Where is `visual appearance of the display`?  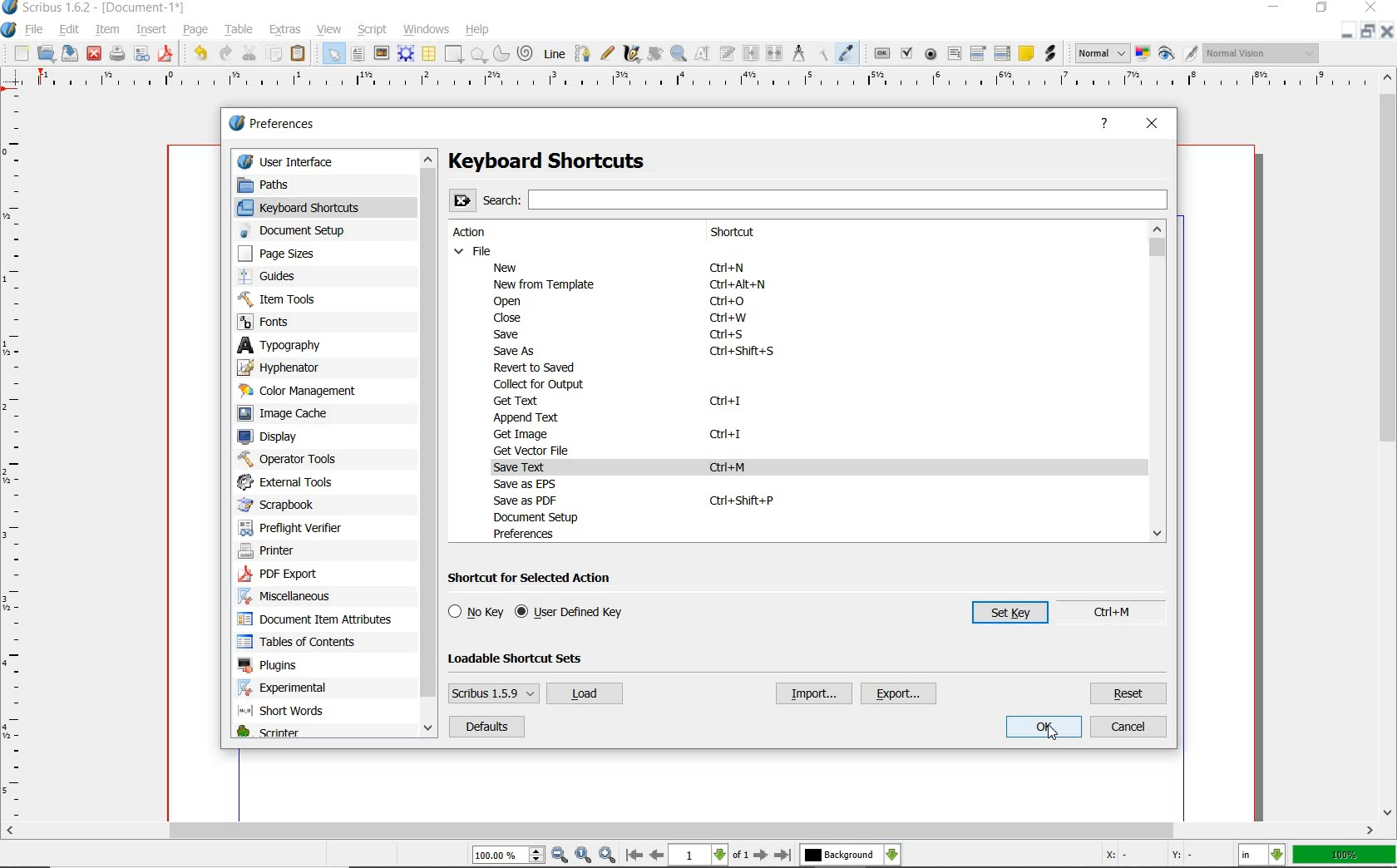 visual appearance of the display is located at coordinates (1262, 52).